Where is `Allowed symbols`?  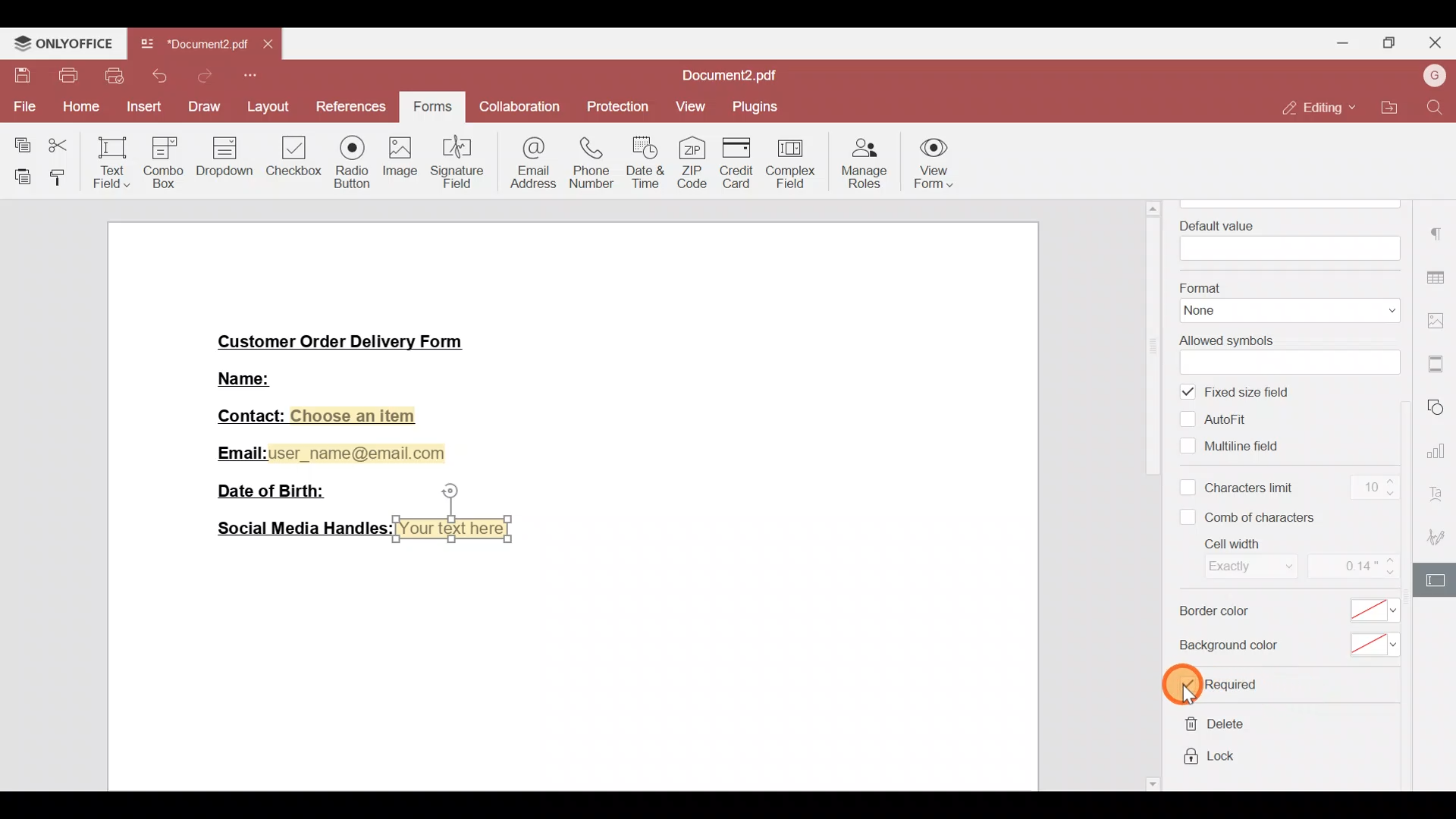
Allowed symbols is located at coordinates (1285, 352).